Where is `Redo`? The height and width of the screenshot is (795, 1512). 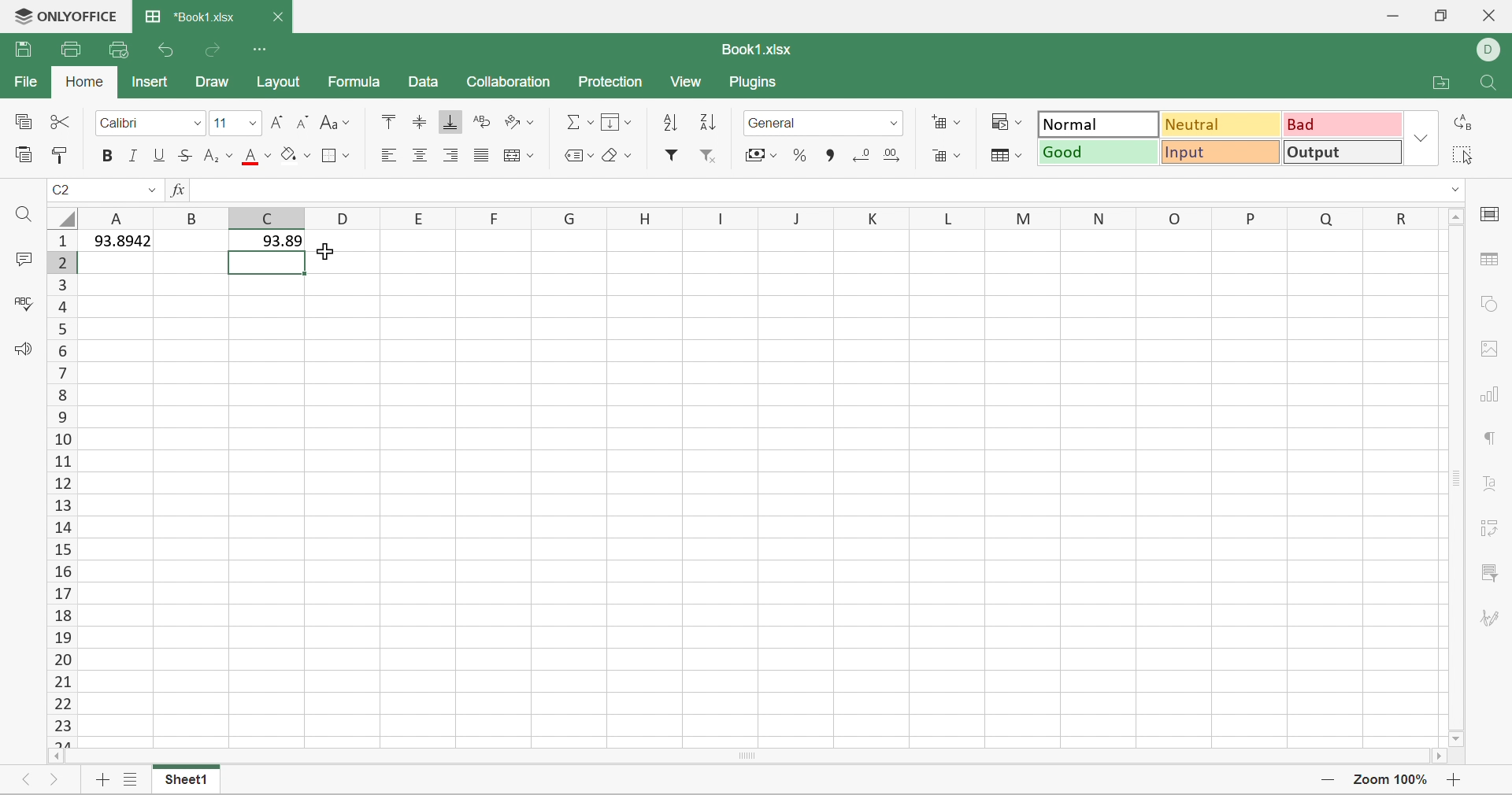
Redo is located at coordinates (215, 49).